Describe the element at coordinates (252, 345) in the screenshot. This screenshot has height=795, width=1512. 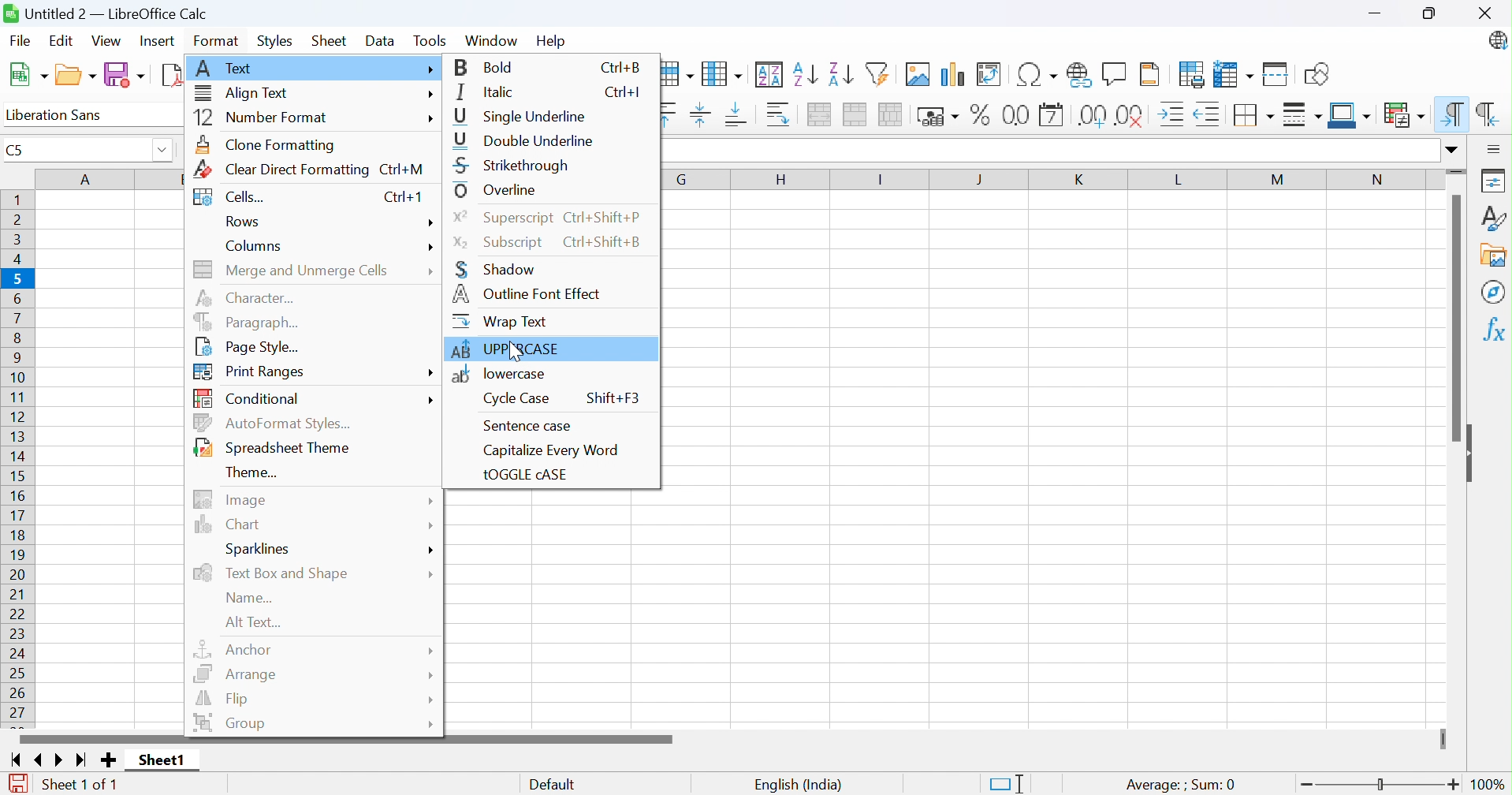
I see `Page style` at that location.